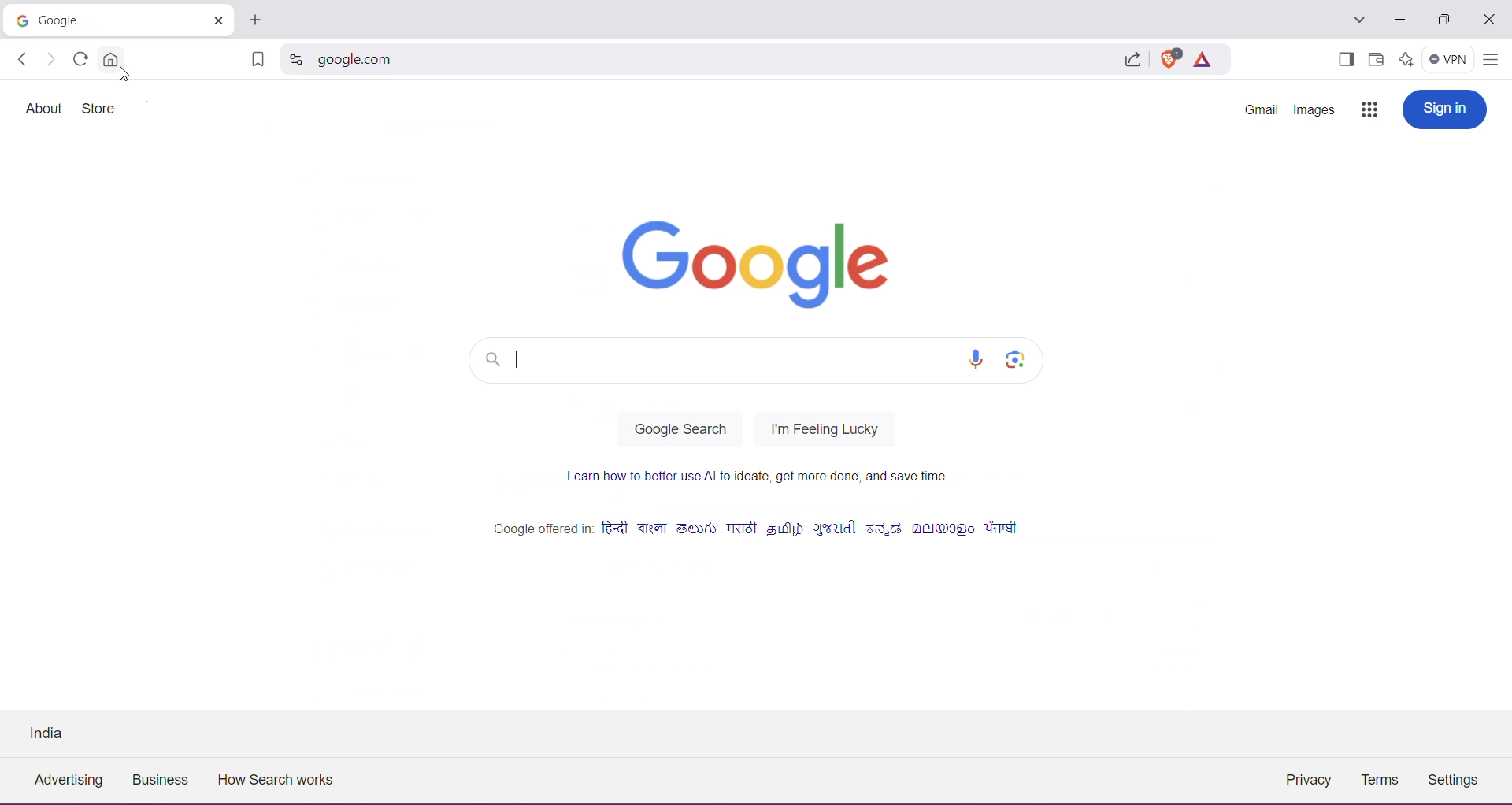 Image resolution: width=1512 pixels, height=805 pixels. What do you see at coordinates (78, 58) in the screenshot?
I see `Reload this page` at bounding box center [78, 58].